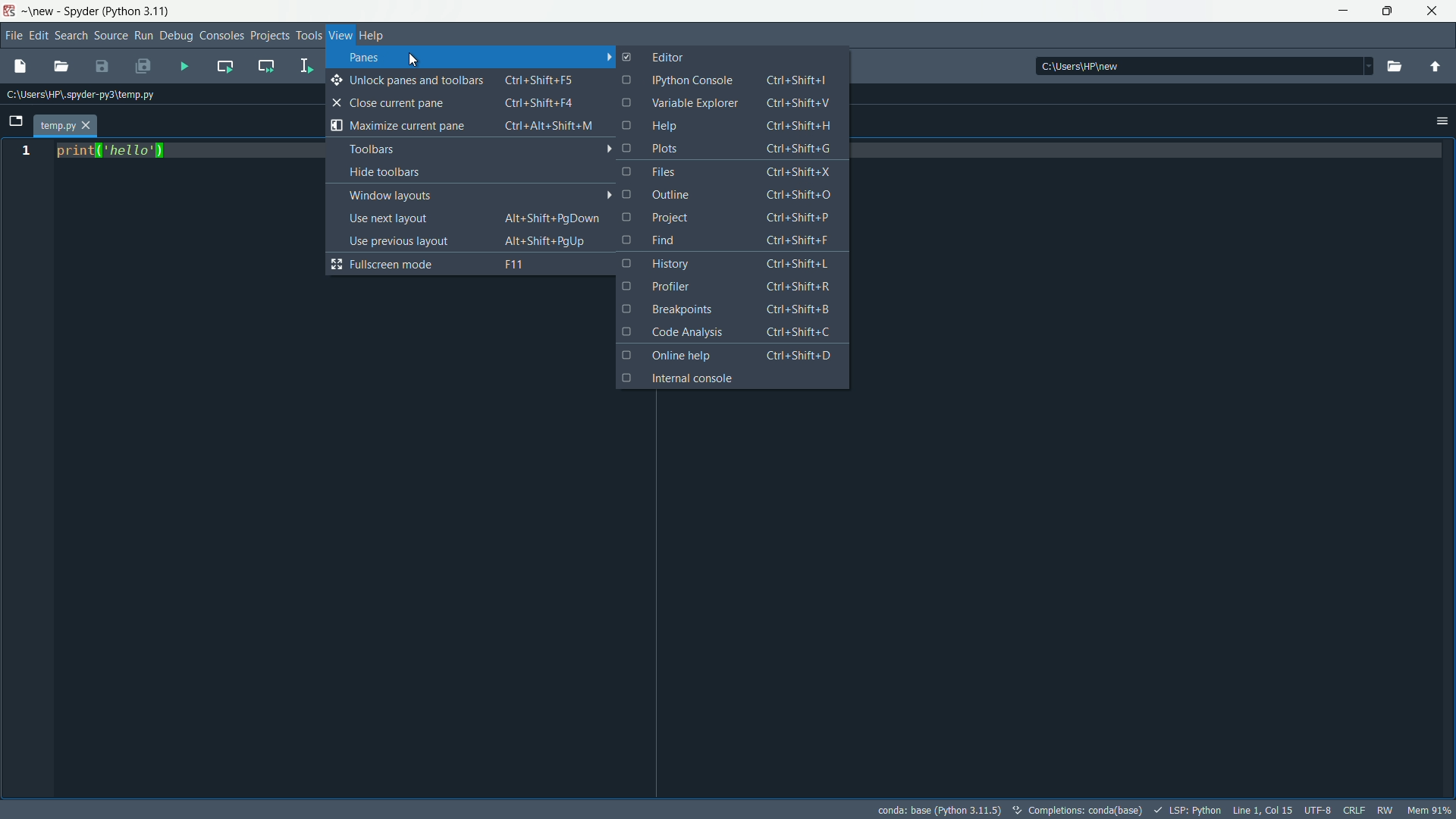 This screenshot has height=819, width=1456. What do you see at coordinates (20, 67) in the screenshot?
I see `new file` at bounding box center [20, 67].